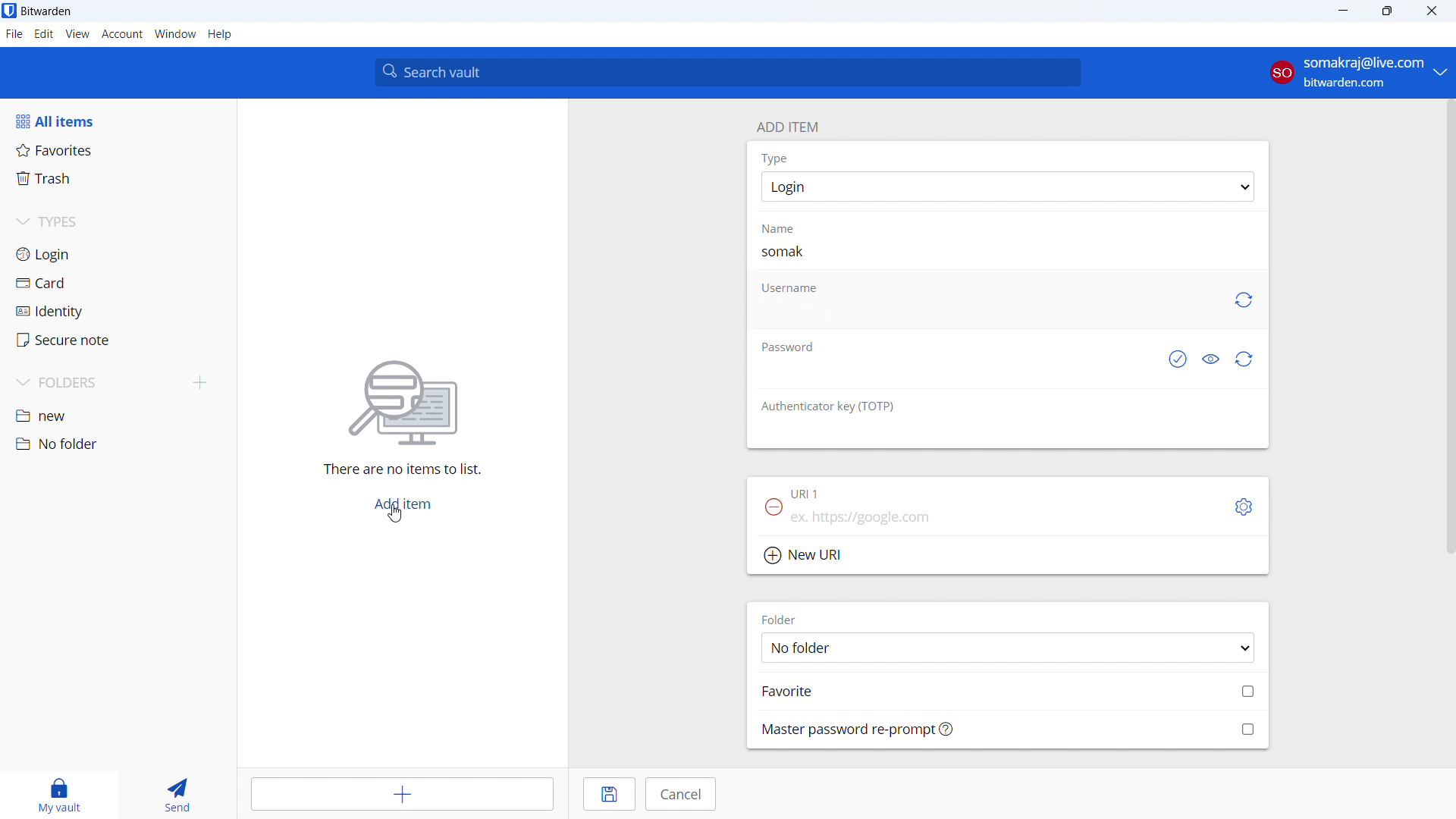 This screenshot has width=1456, height=819. Describe the element at coordinates (402, 403) in the screenshot. I see `searching for file vector icon` at that location.